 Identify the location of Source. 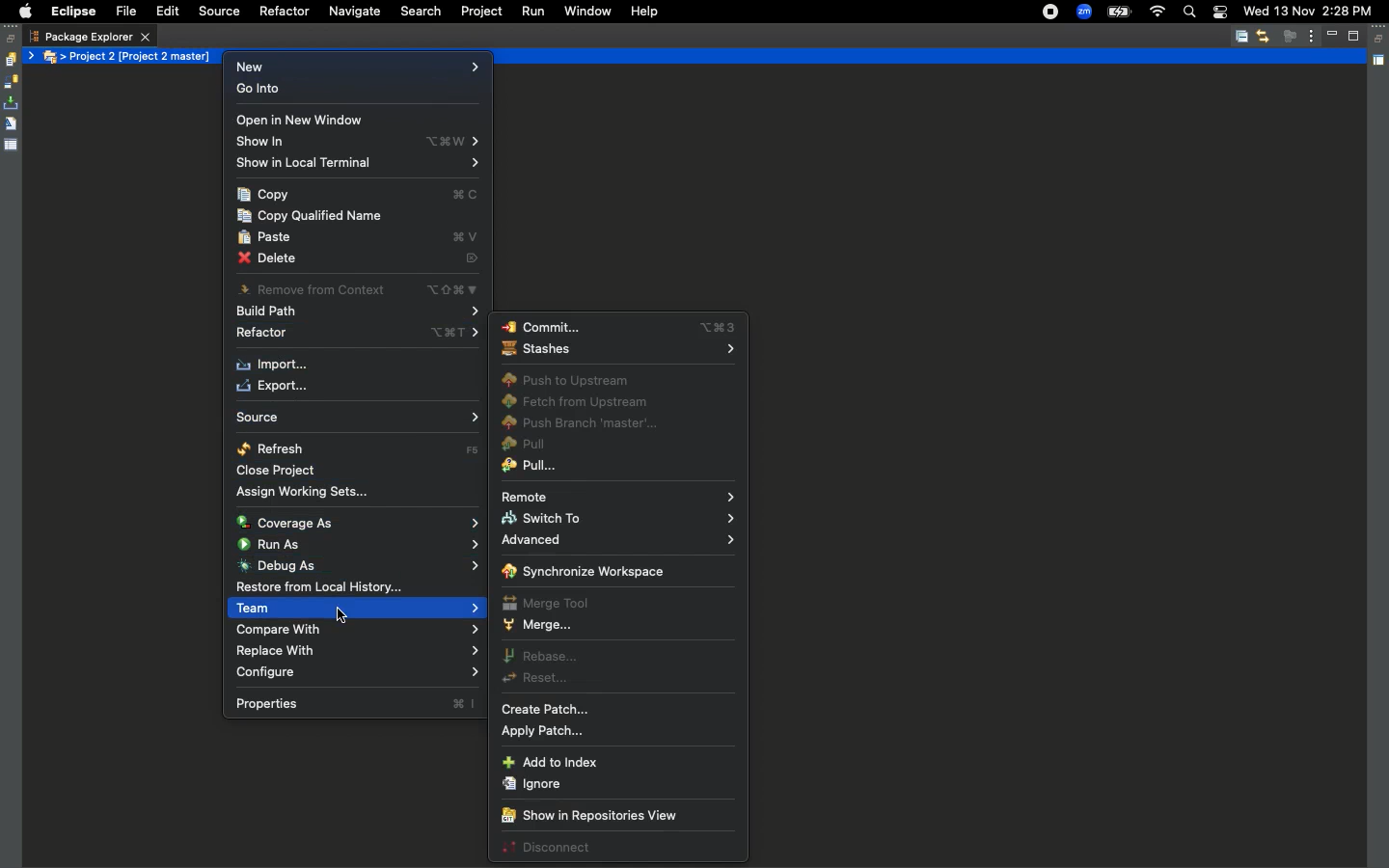
(358, 416).